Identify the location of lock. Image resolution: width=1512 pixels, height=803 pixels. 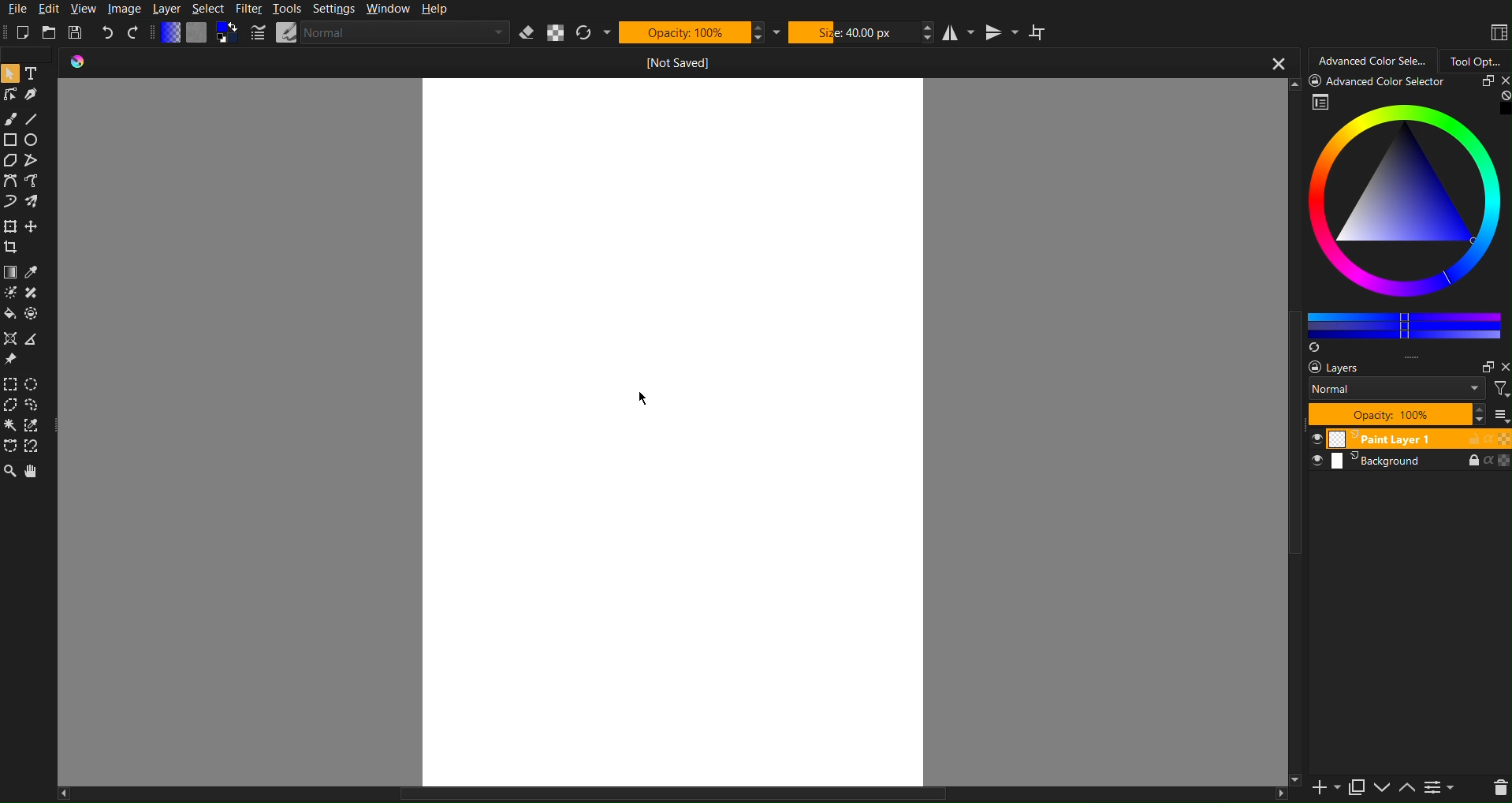
(1462, 460).